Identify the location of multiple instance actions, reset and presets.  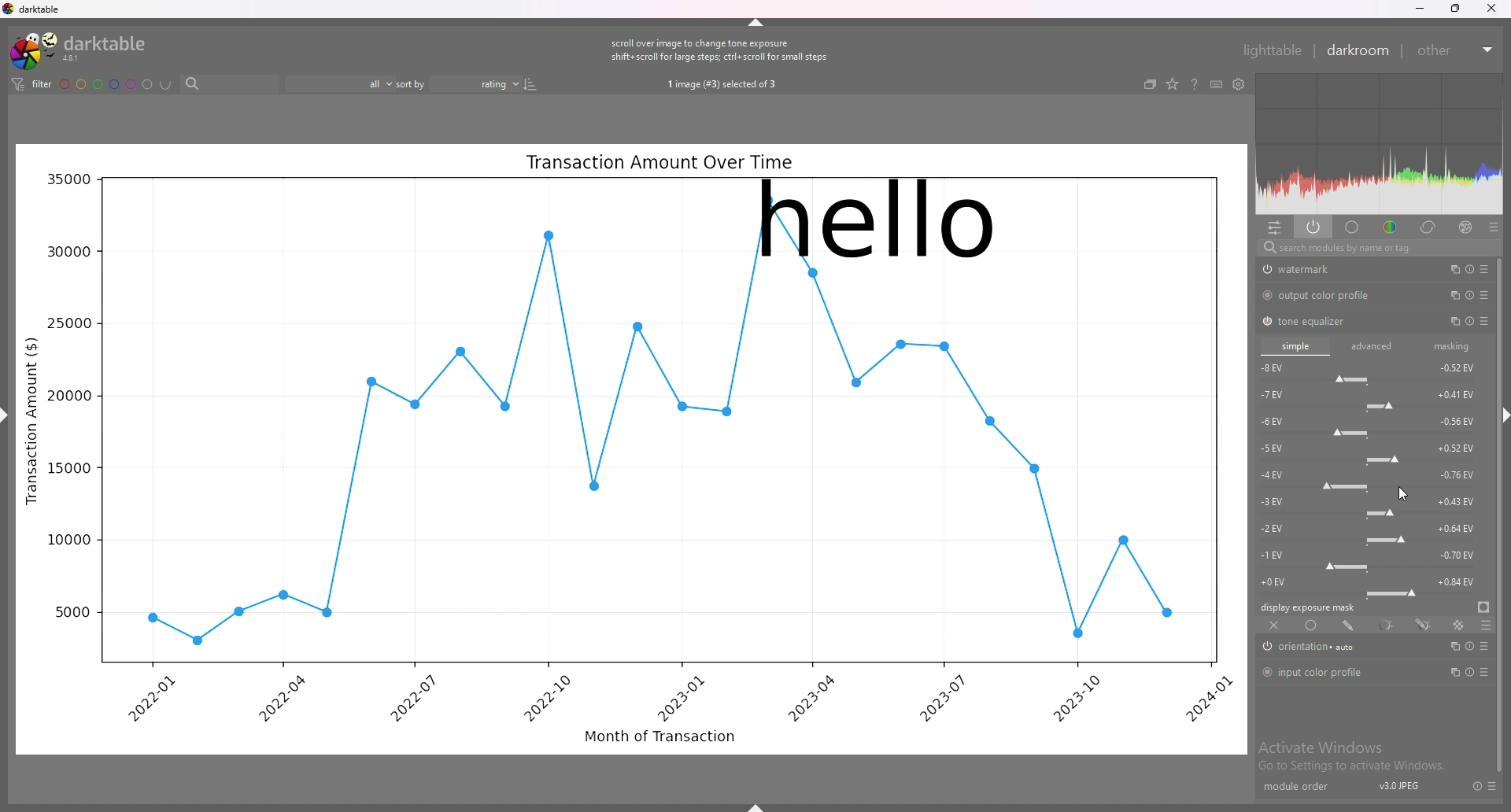
(1469, 268).